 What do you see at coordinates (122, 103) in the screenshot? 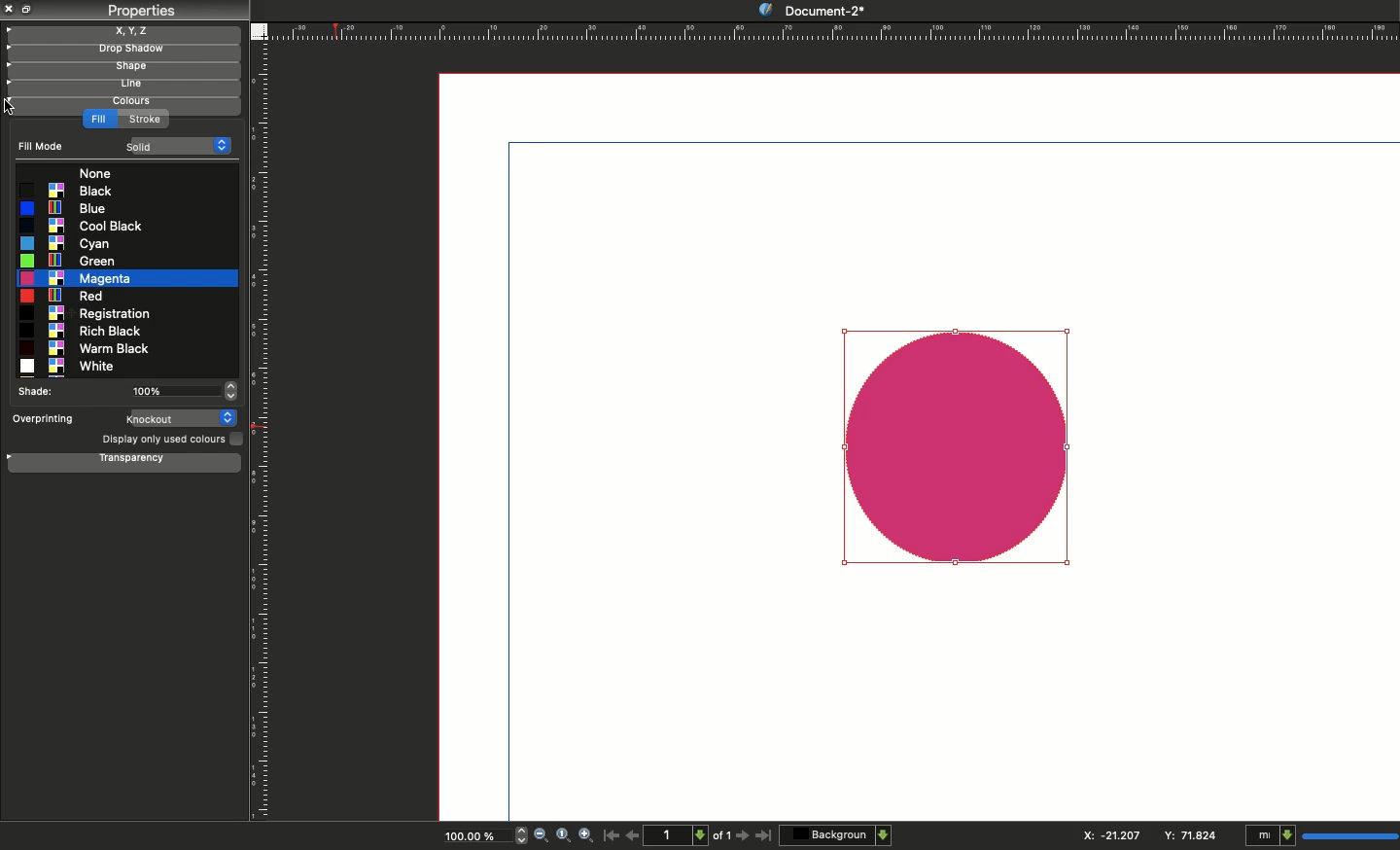
I see `Colors` at bounding box center [122, 103].